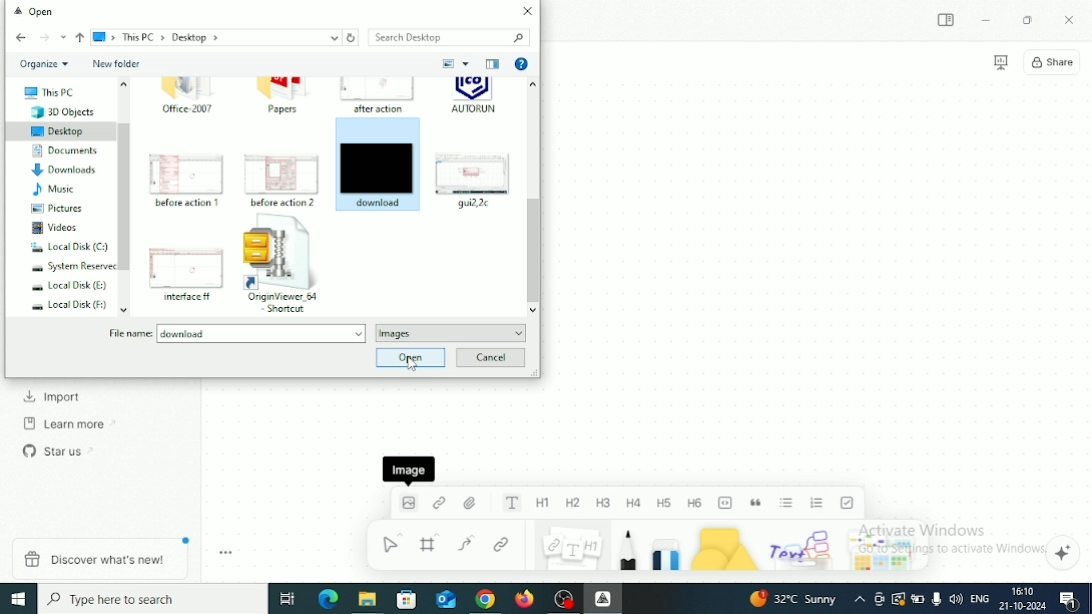 The width and height of the screenshot is (1092, 614). I want to click on Share, so click(1052, 62).